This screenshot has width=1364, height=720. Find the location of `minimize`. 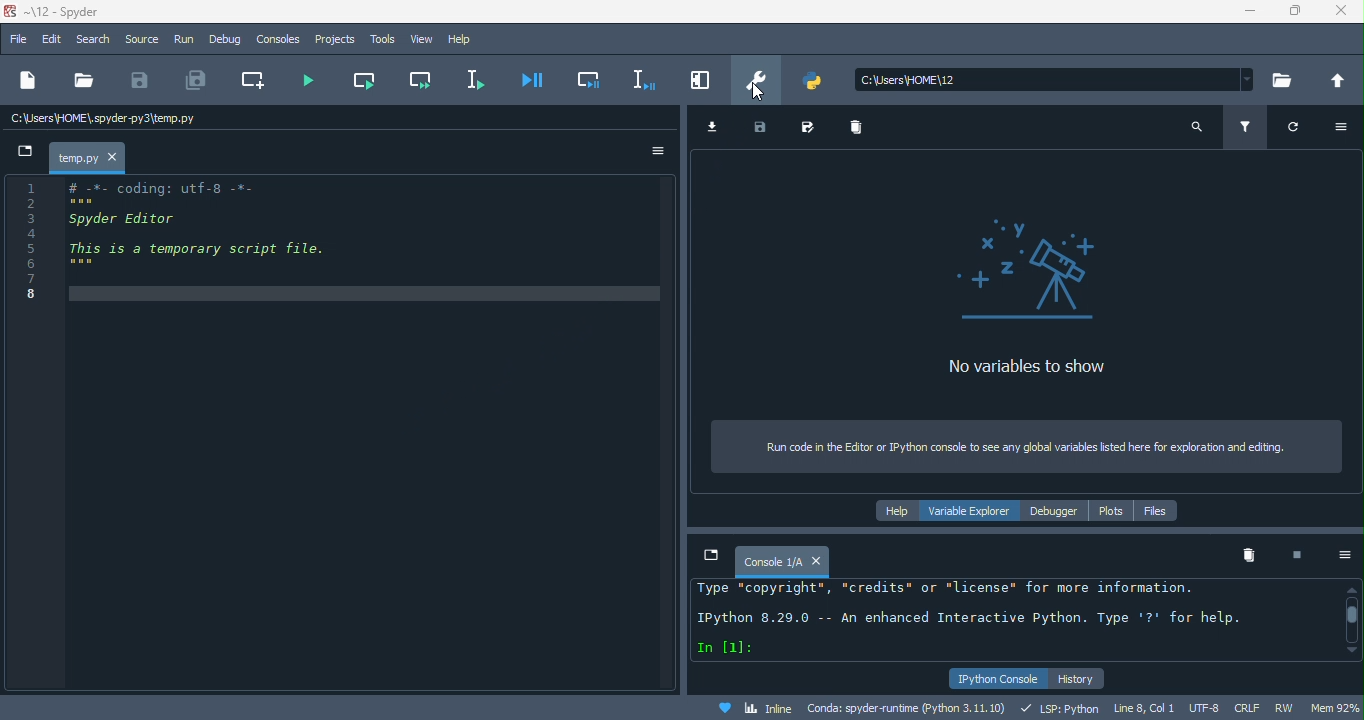

minimize is located at coordinates (1243, 13).